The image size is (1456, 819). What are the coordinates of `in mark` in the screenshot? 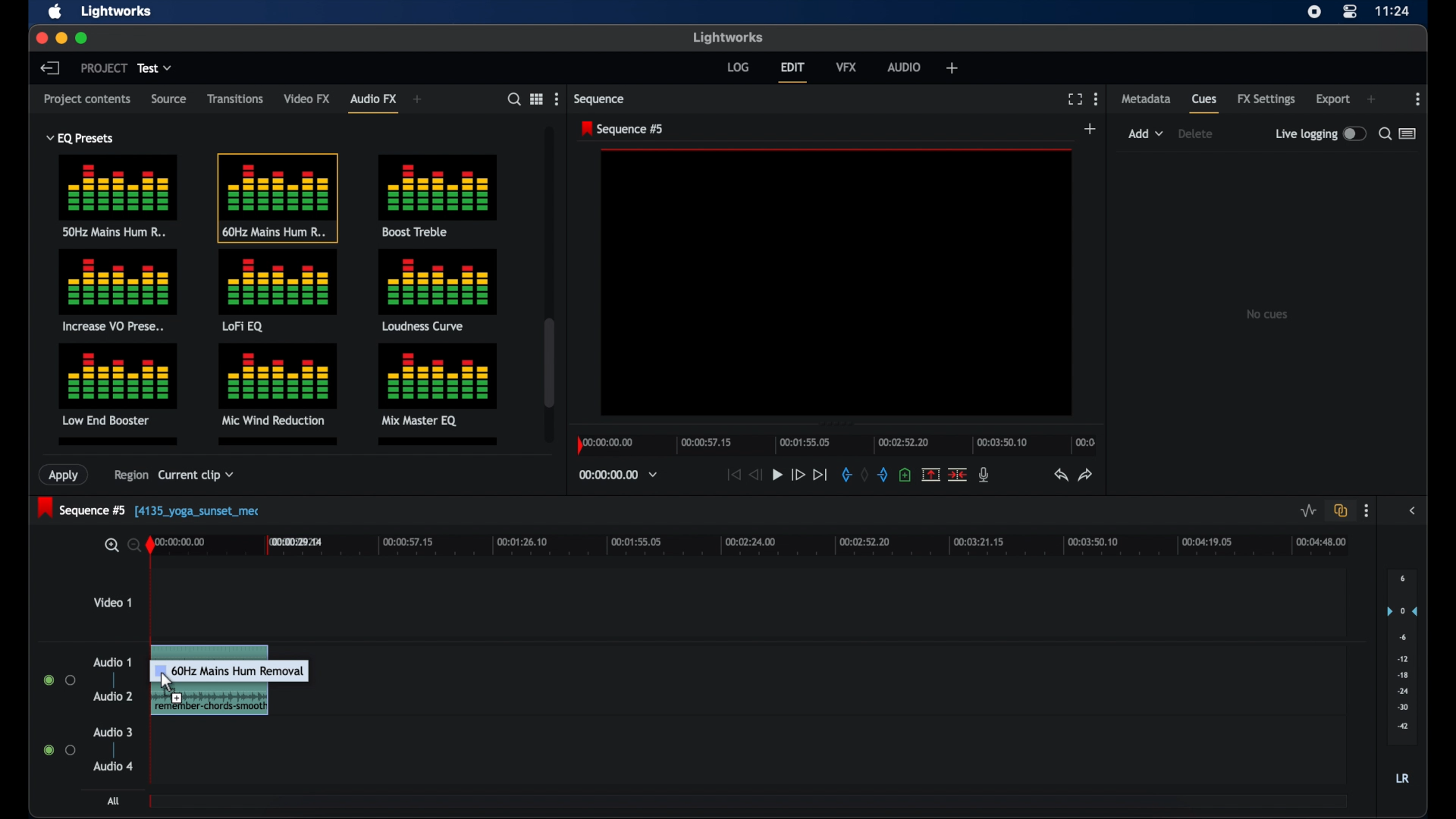 It's located at (845, 474).